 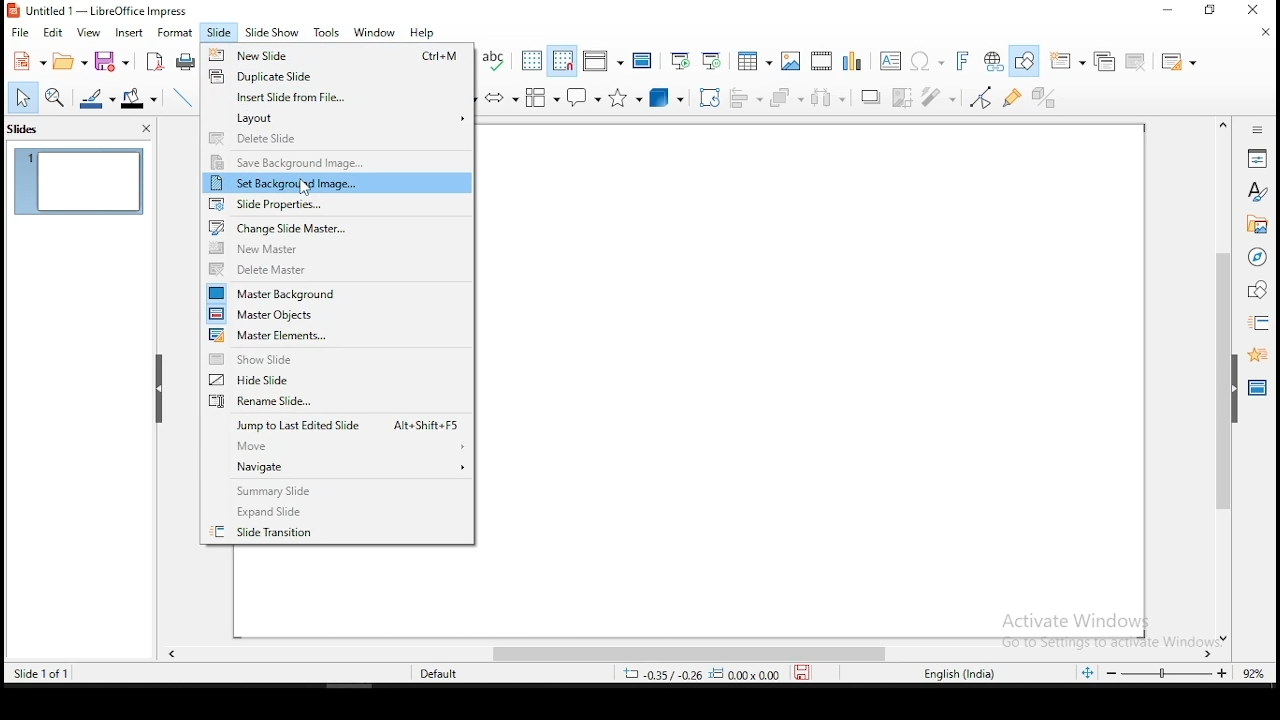 I want to click on images, so click(x=791, y=59).